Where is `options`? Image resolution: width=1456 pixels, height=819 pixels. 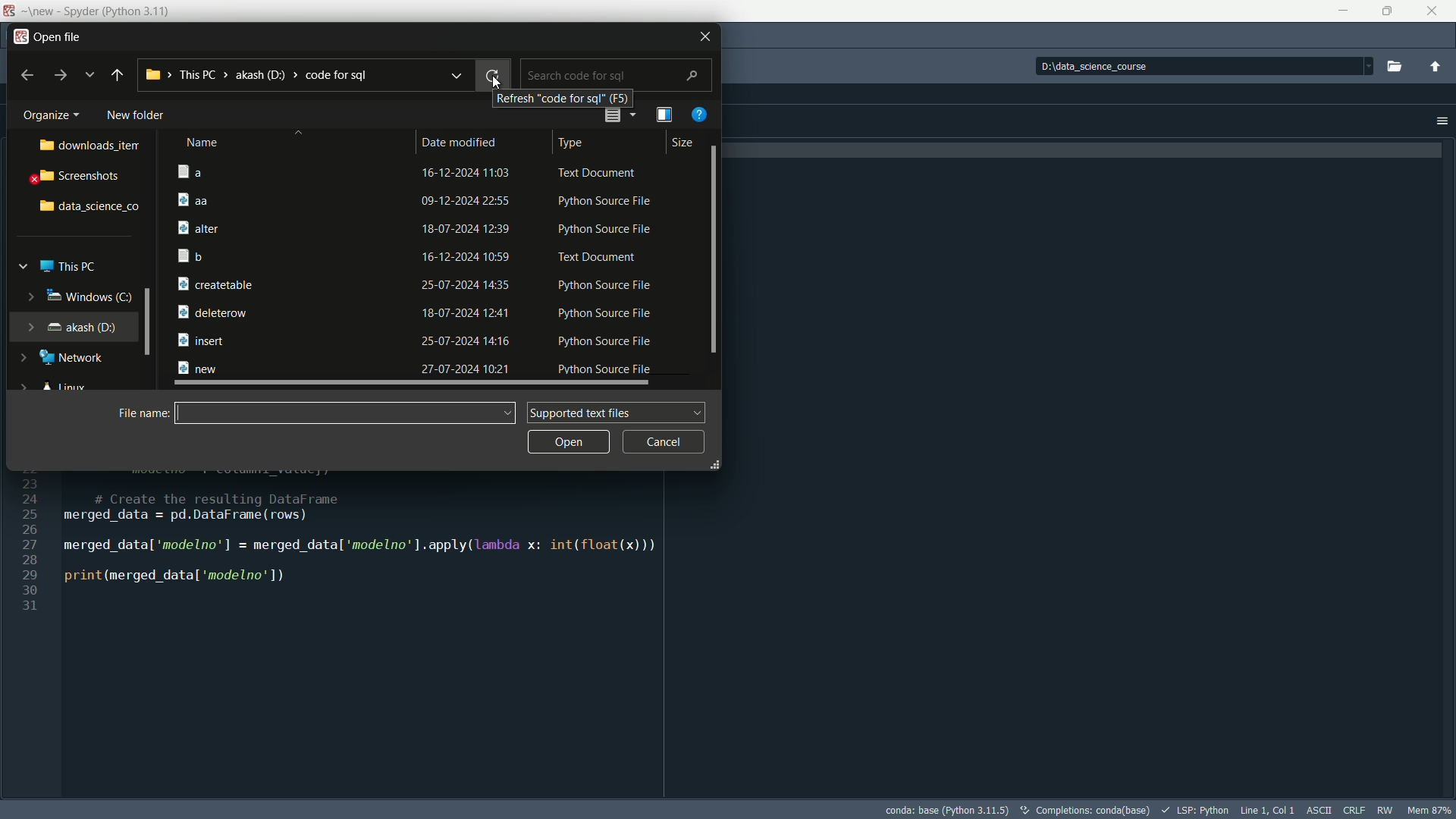 options is located at coordinates (1442, 121).